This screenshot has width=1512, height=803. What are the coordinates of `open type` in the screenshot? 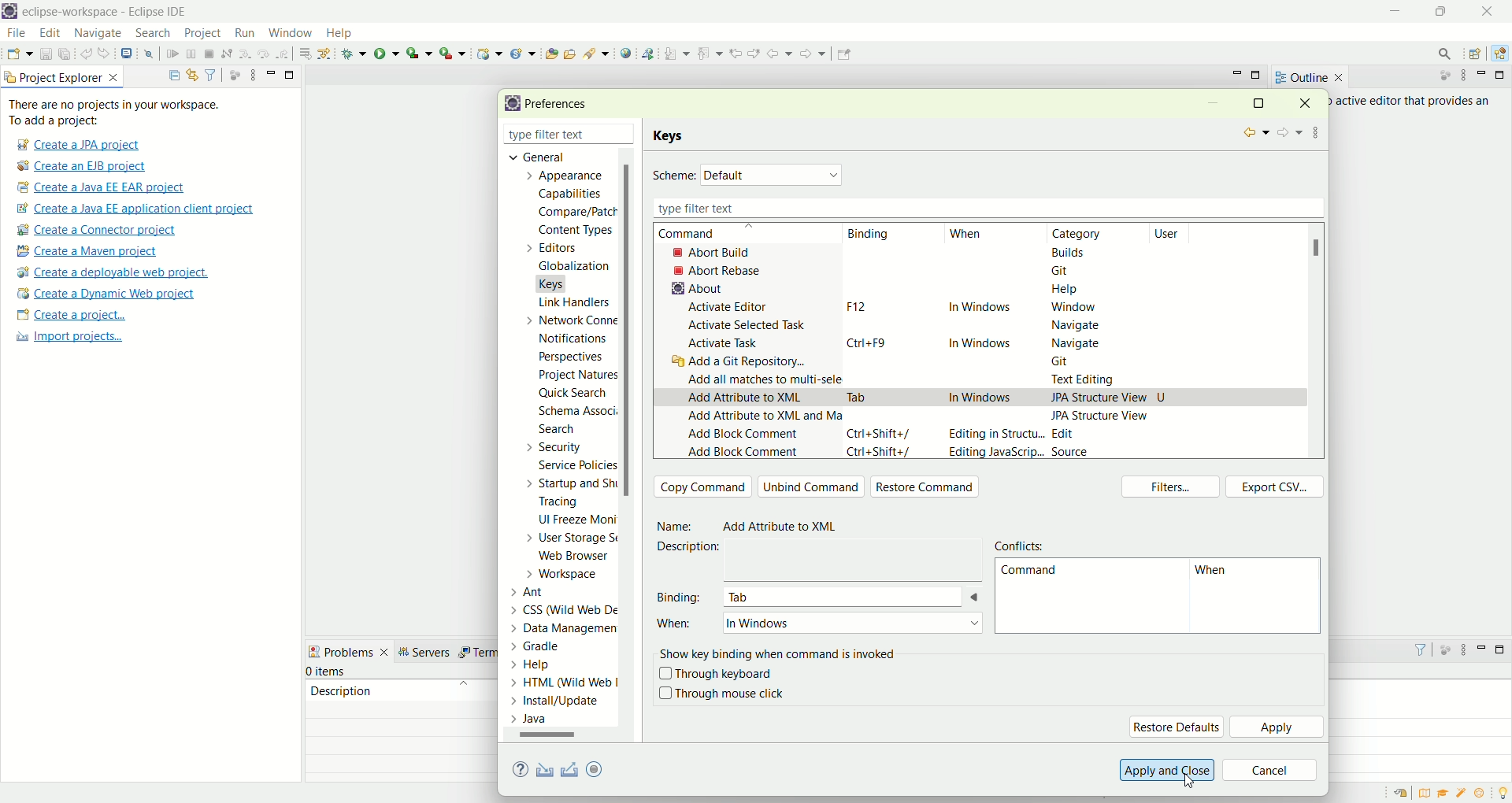 It's located at (550, 53).